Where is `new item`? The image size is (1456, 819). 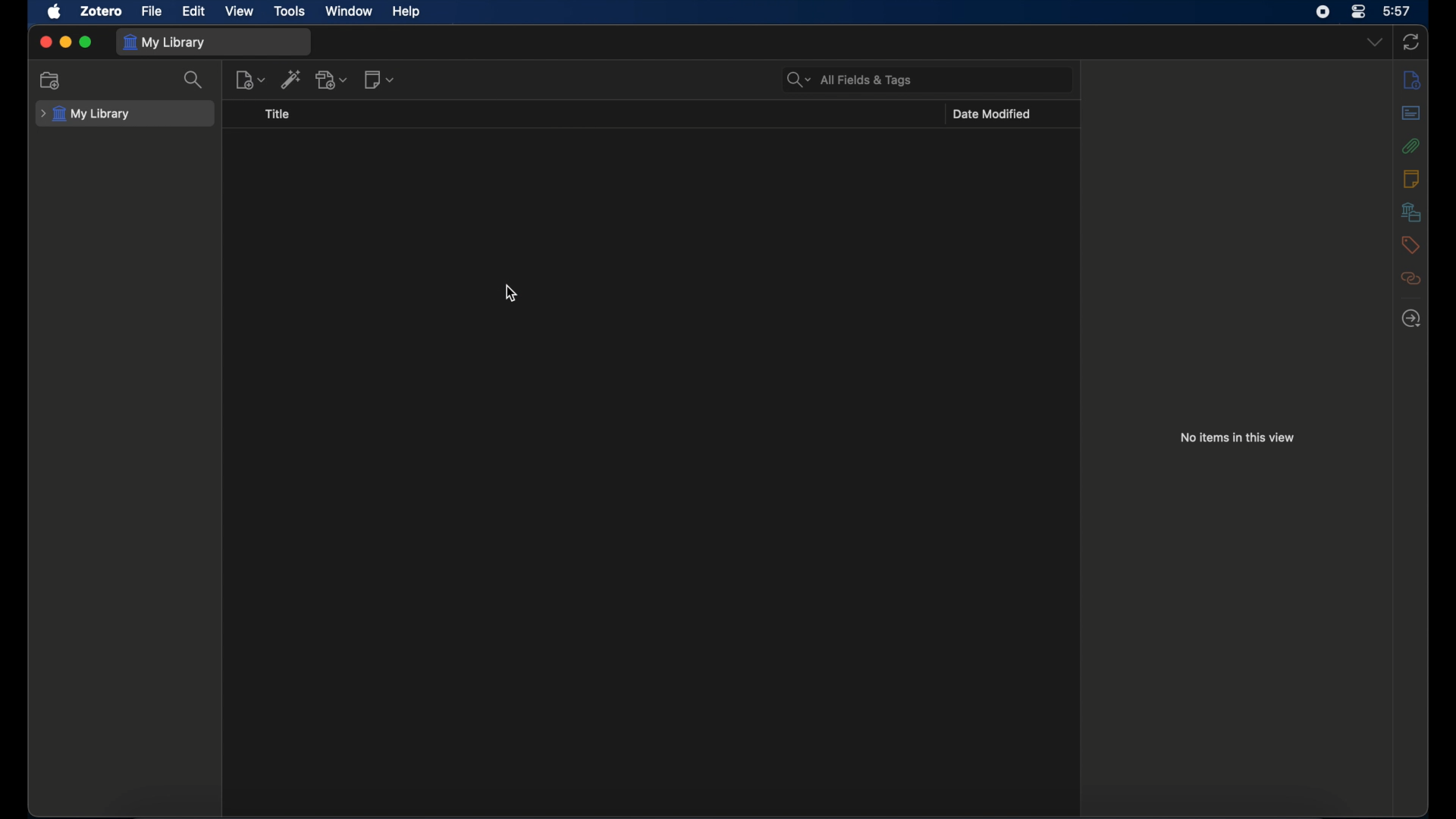
new item is located at coordinates (250, 80).